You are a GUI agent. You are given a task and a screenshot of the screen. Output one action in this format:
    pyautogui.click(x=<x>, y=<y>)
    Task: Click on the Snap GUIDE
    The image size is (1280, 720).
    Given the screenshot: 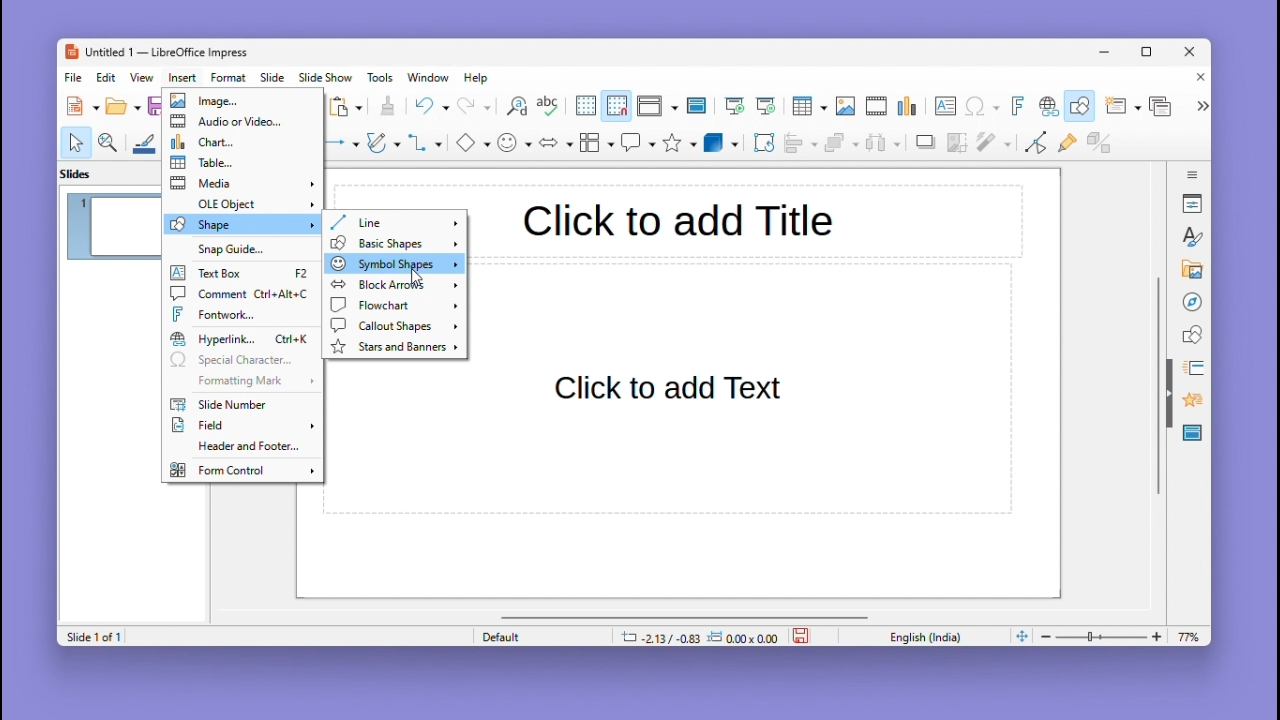 What is the action you would take?
    pyautogui.click(x=237, y=249)
    